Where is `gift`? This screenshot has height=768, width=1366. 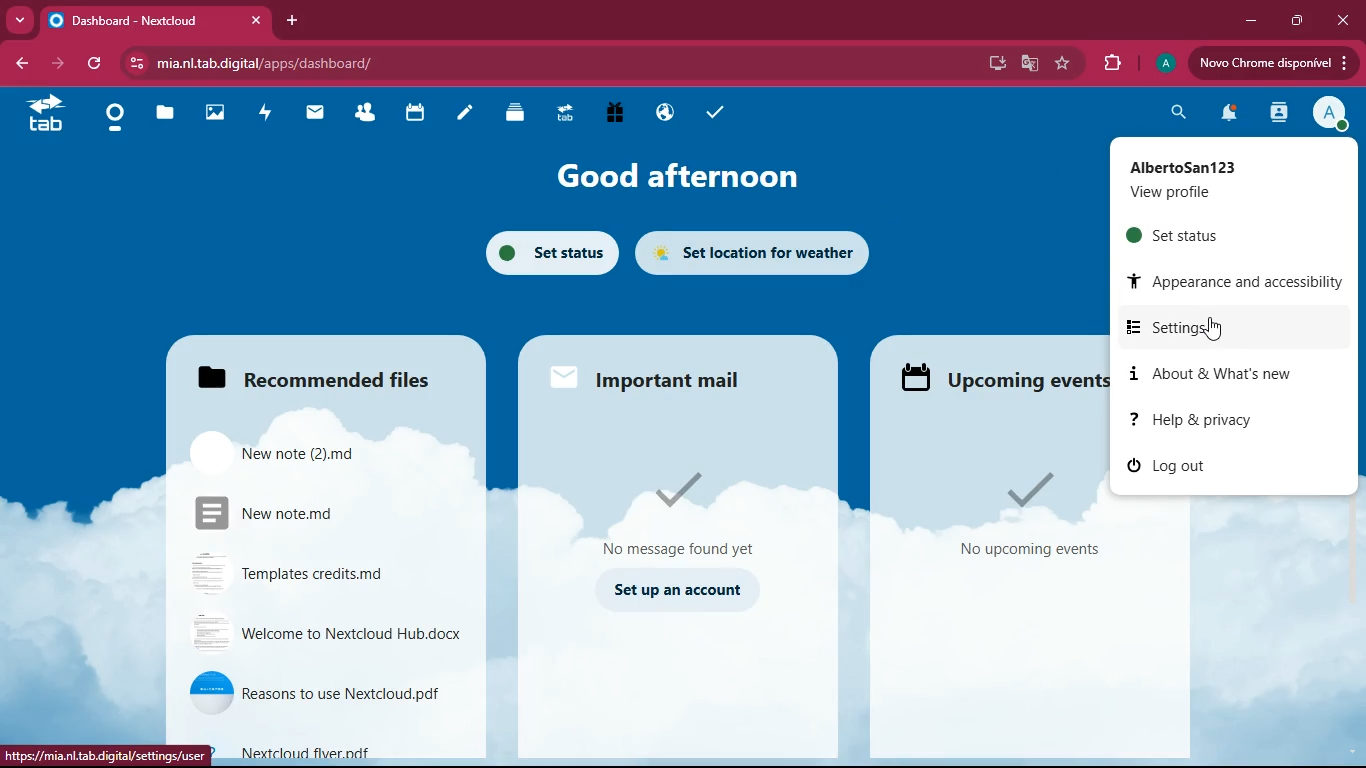
gift is located at coordinates (611, 114).